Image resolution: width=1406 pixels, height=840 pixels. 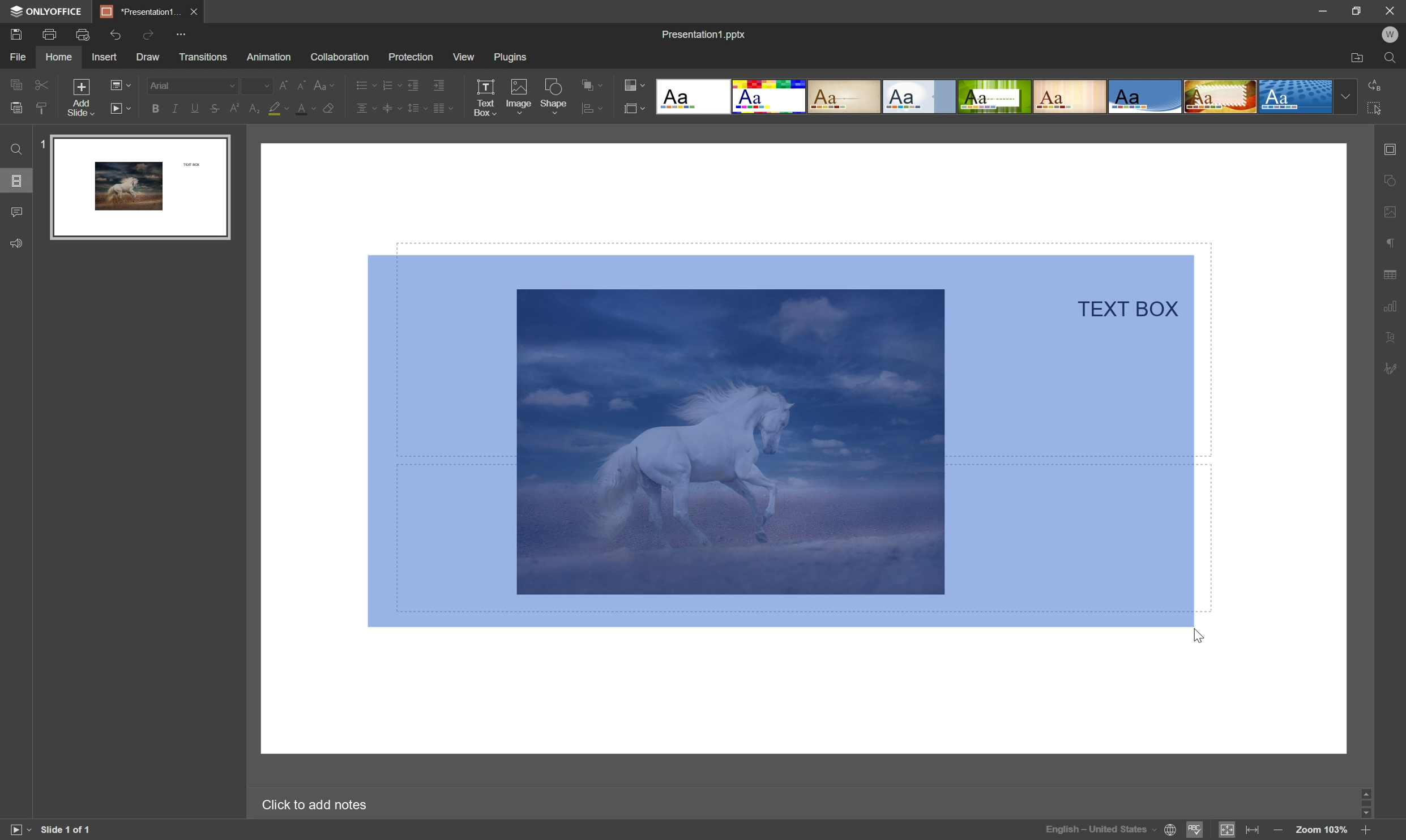 What do you see at coordinates (413, 86) in the screenshot?
I see `decrease indent` at bounding box center [413, 86].